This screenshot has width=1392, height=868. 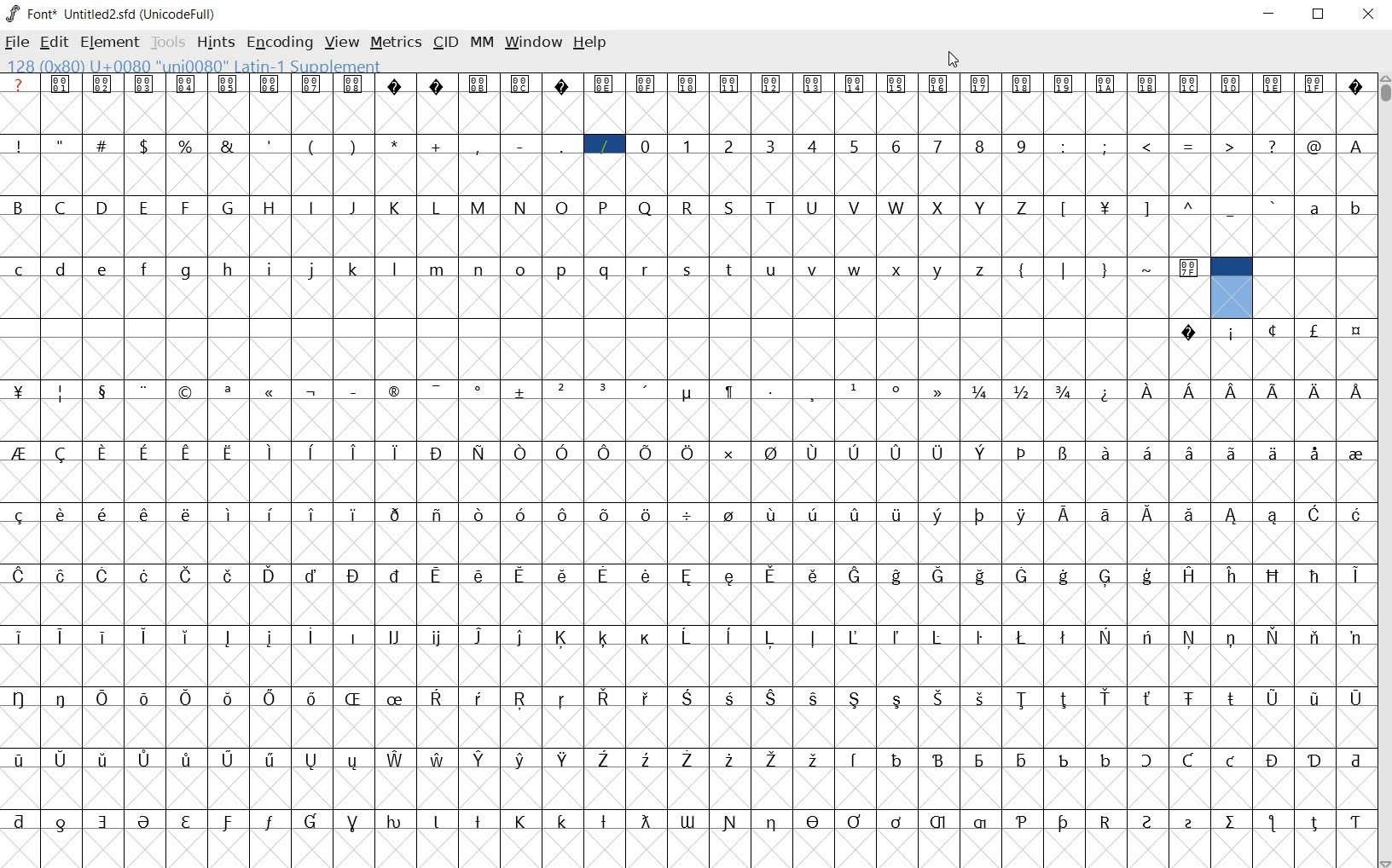 What do you see at coordinates (1105, 513) in the screenshot?
I see `Symbol` at bounding box center [1105, 513].